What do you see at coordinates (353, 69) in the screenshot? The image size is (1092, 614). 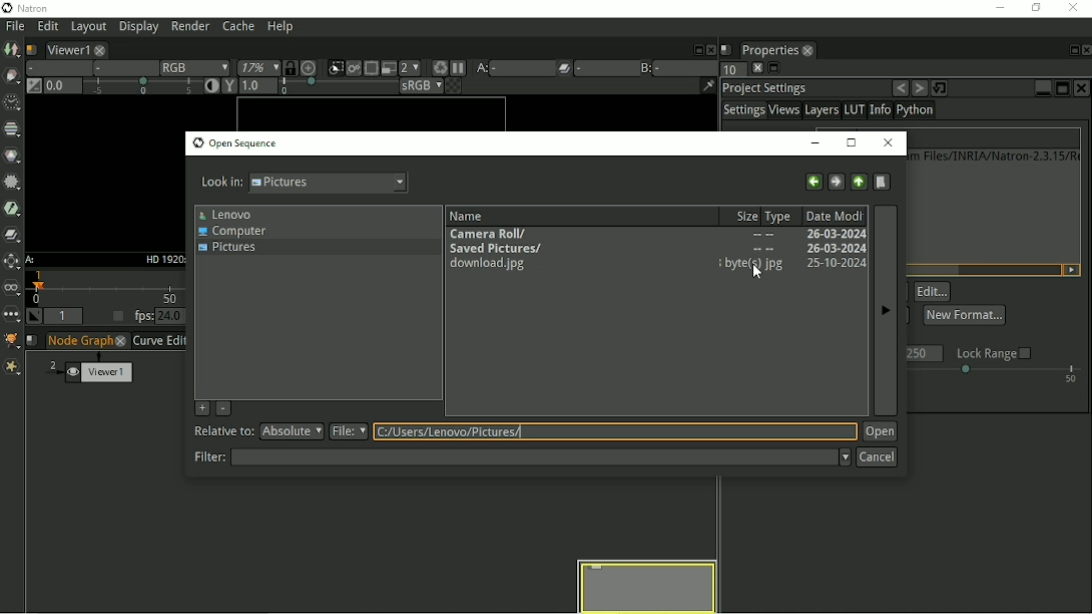 I see `Render image` at bounding box center [353, 69].